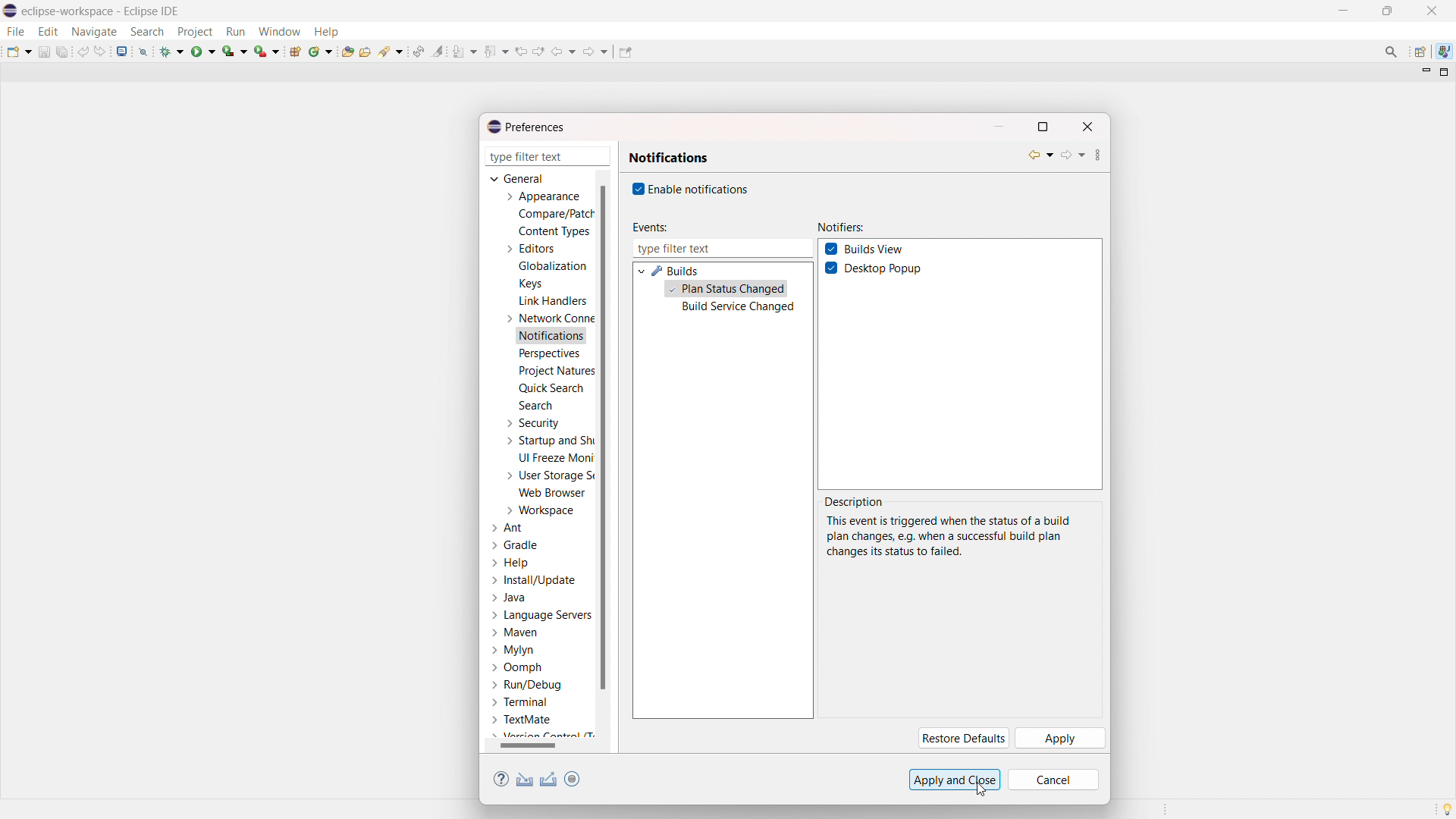 This screenshot has width=1456, height=819. Describe the element at coordinates (548, 318) in the screenshot. I see `network connections` at that location.